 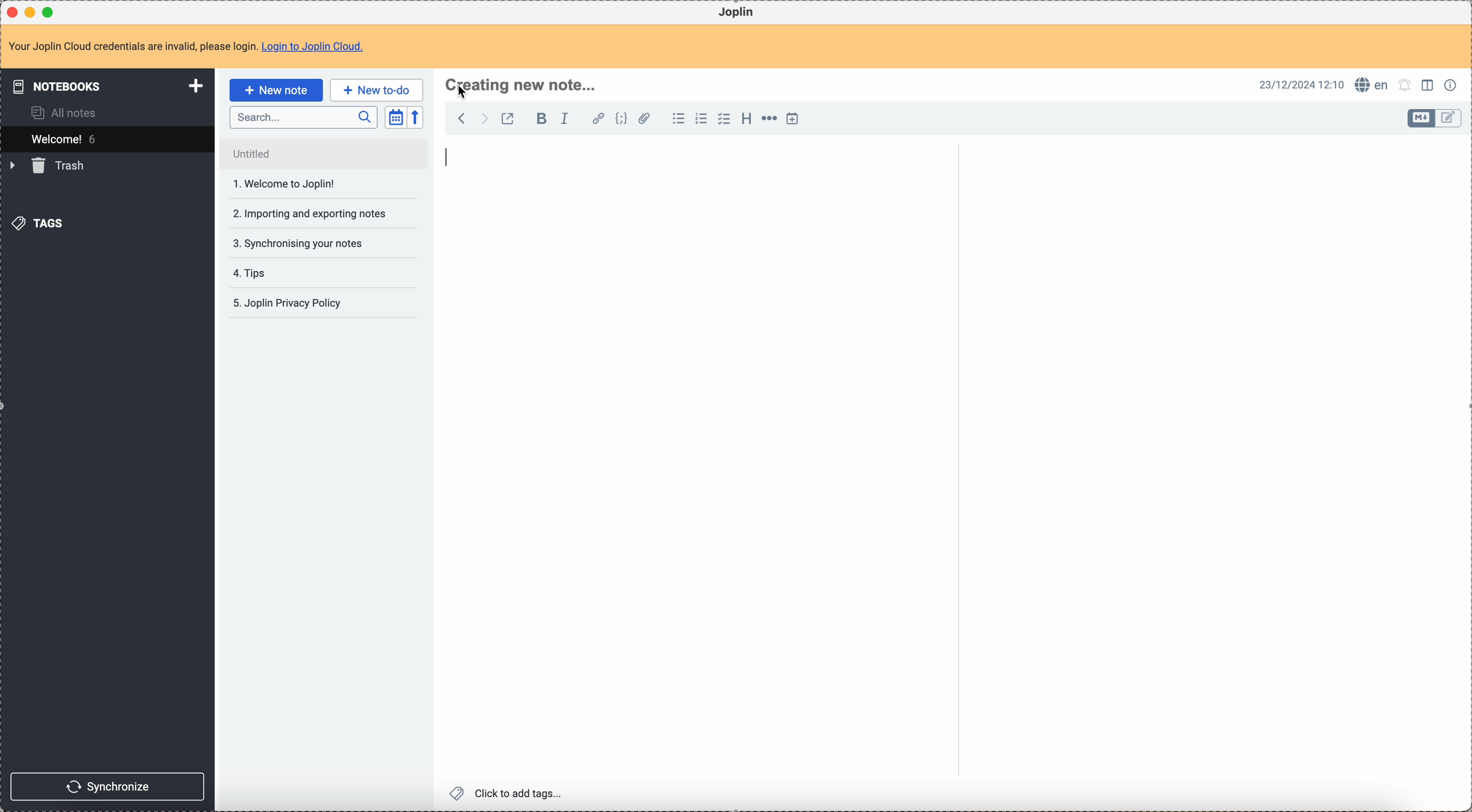 What do you see at coordinates (508, 794) in the screenshot?
I see `click to add tags` at bounding box center [508, 794].